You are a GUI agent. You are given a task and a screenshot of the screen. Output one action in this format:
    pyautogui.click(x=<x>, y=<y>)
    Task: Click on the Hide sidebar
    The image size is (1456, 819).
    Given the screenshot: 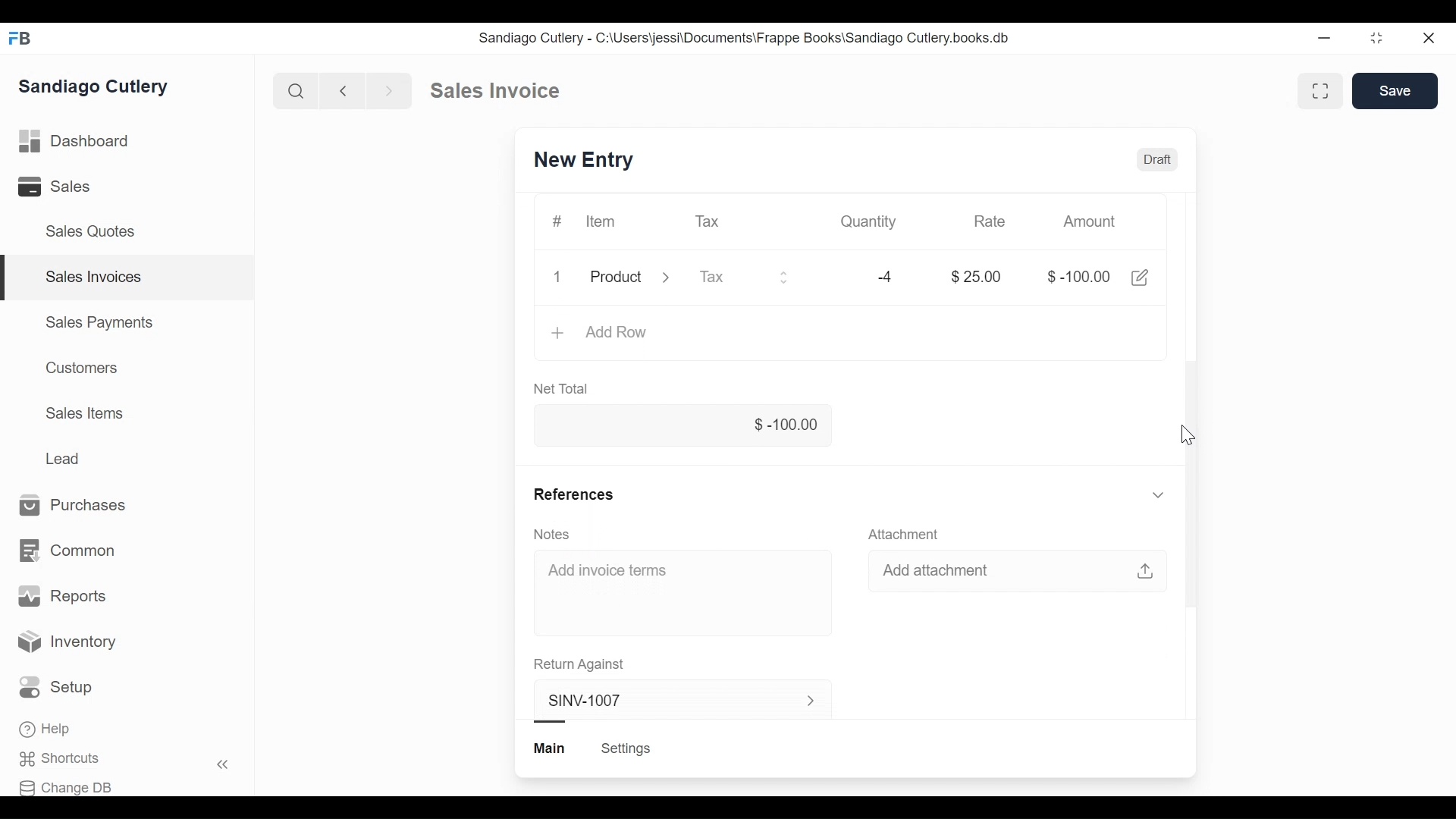 What is the action you would take?
    pyautogui.click(x=224, y=764)
    